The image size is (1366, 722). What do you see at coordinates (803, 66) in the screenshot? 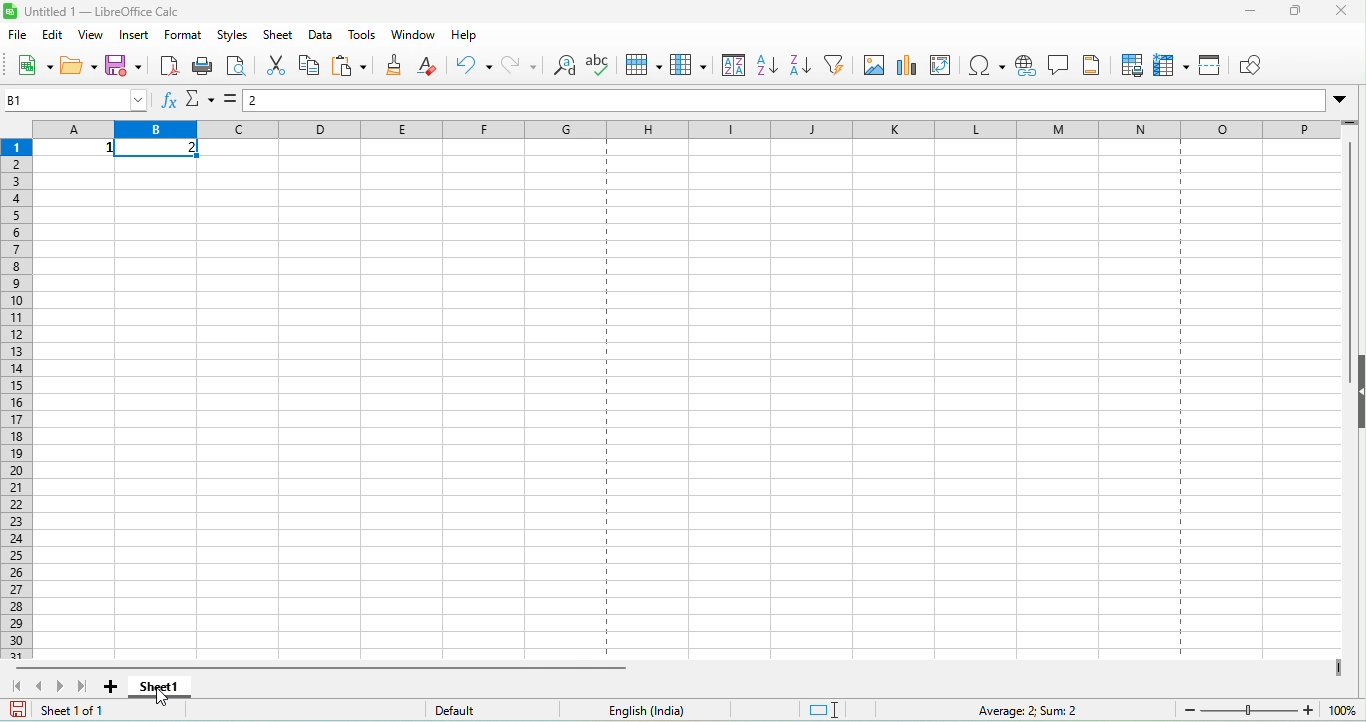
I see `sort descending` at bounding box center [803, 66].